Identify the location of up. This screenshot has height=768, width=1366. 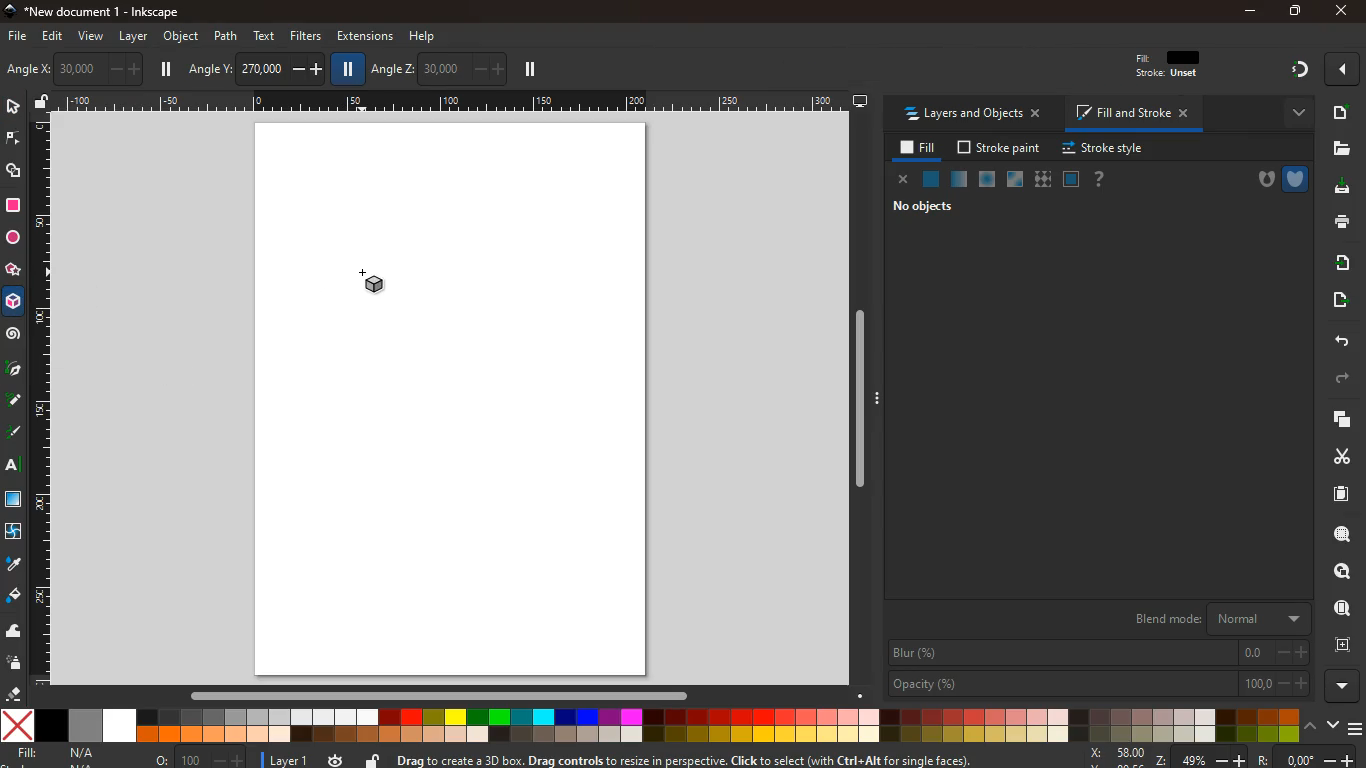
(1311, 727).